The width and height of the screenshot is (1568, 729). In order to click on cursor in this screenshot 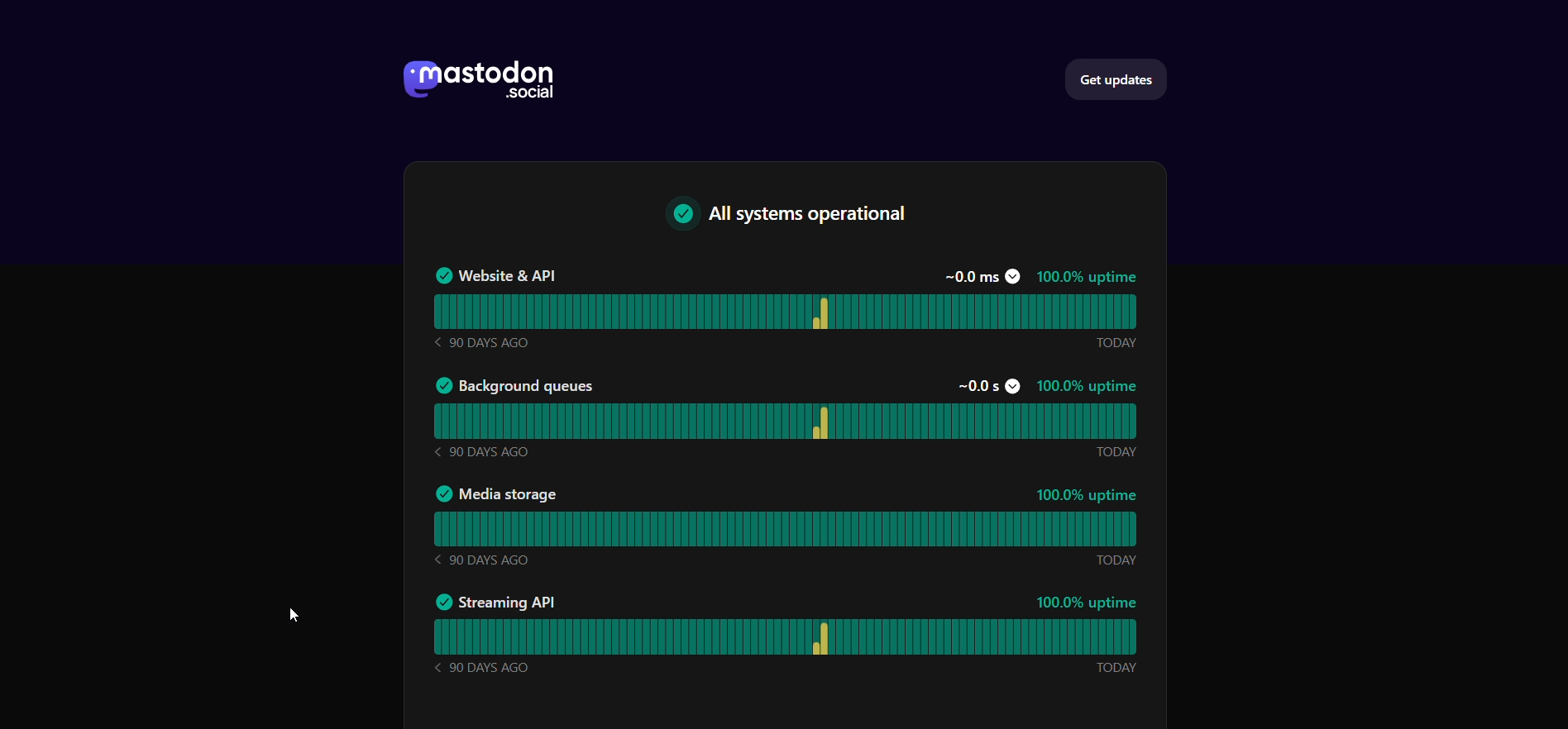, I will do `click(293, 618)`.